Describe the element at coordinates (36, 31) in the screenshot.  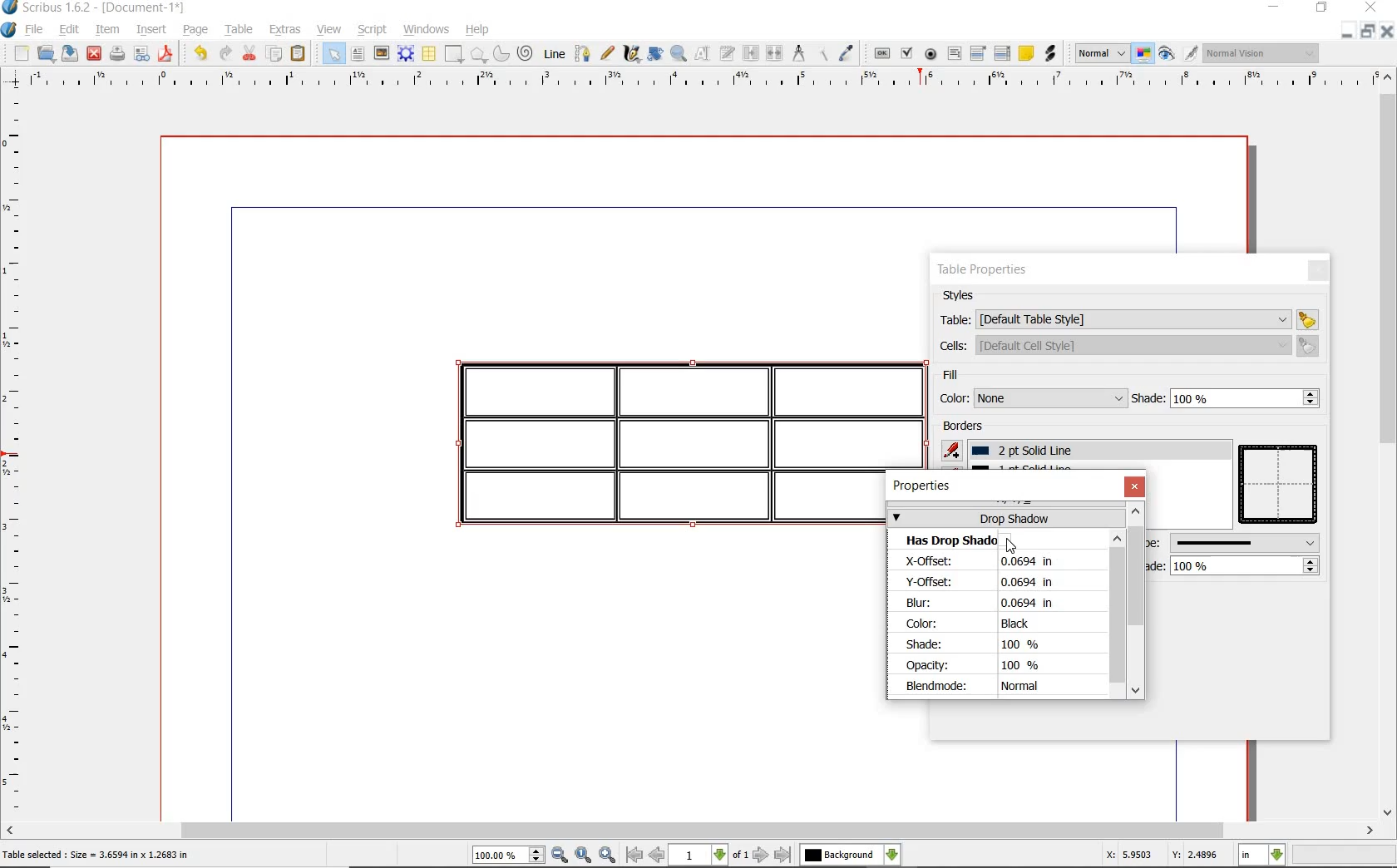
I see `file` at that location.